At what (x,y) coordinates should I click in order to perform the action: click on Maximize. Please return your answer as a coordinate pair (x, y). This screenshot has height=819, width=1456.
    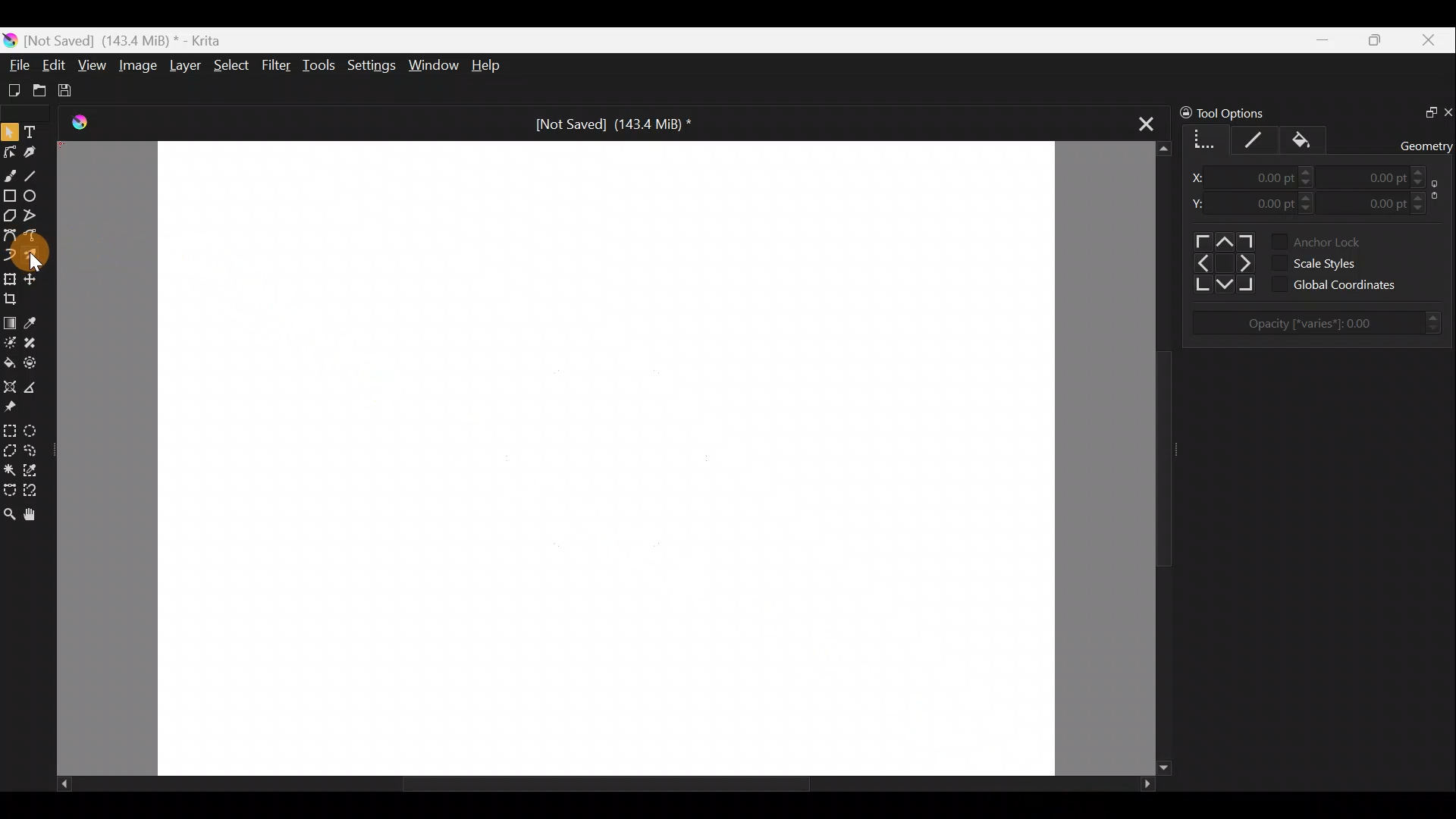
    Looking at the image, I should click on (1377, 39).